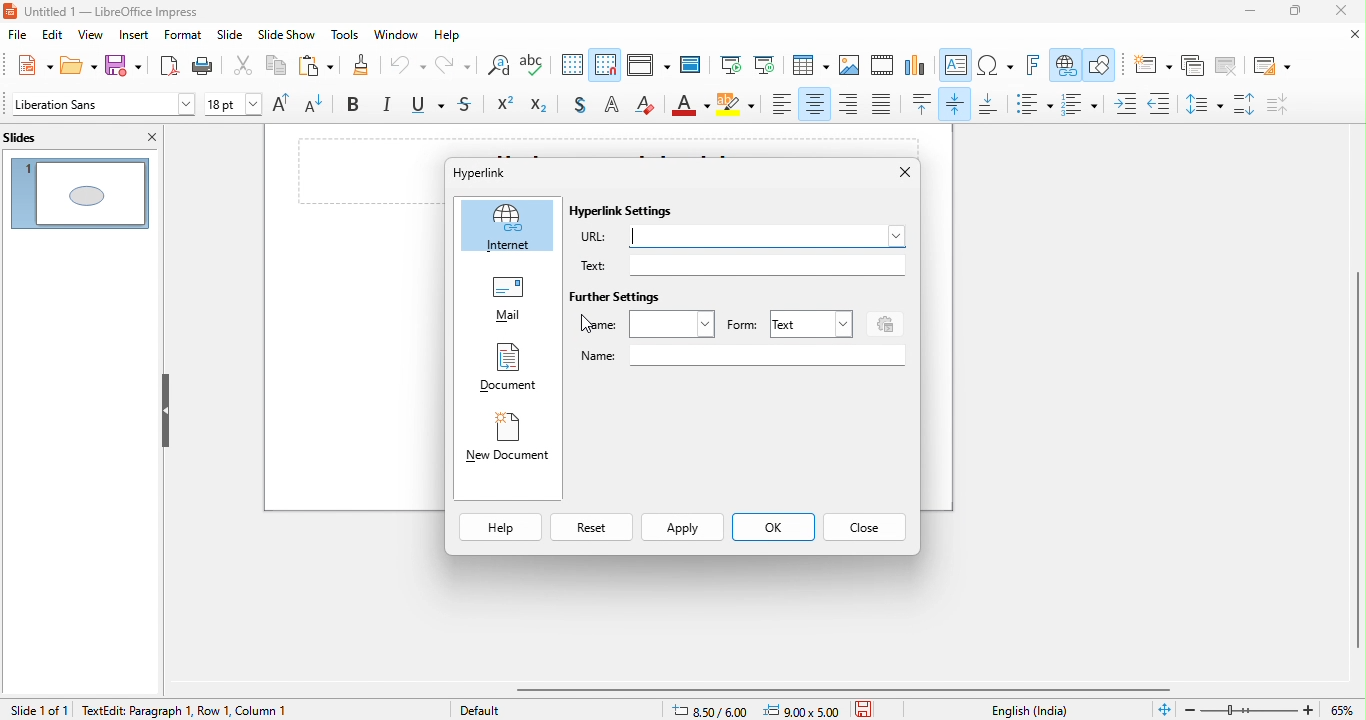 This screenshot has height=720, width=1366. What do you see at coordinates (578, 106) in the screenshot?
I see `toggle shadow` at bounding box center [578, 106].